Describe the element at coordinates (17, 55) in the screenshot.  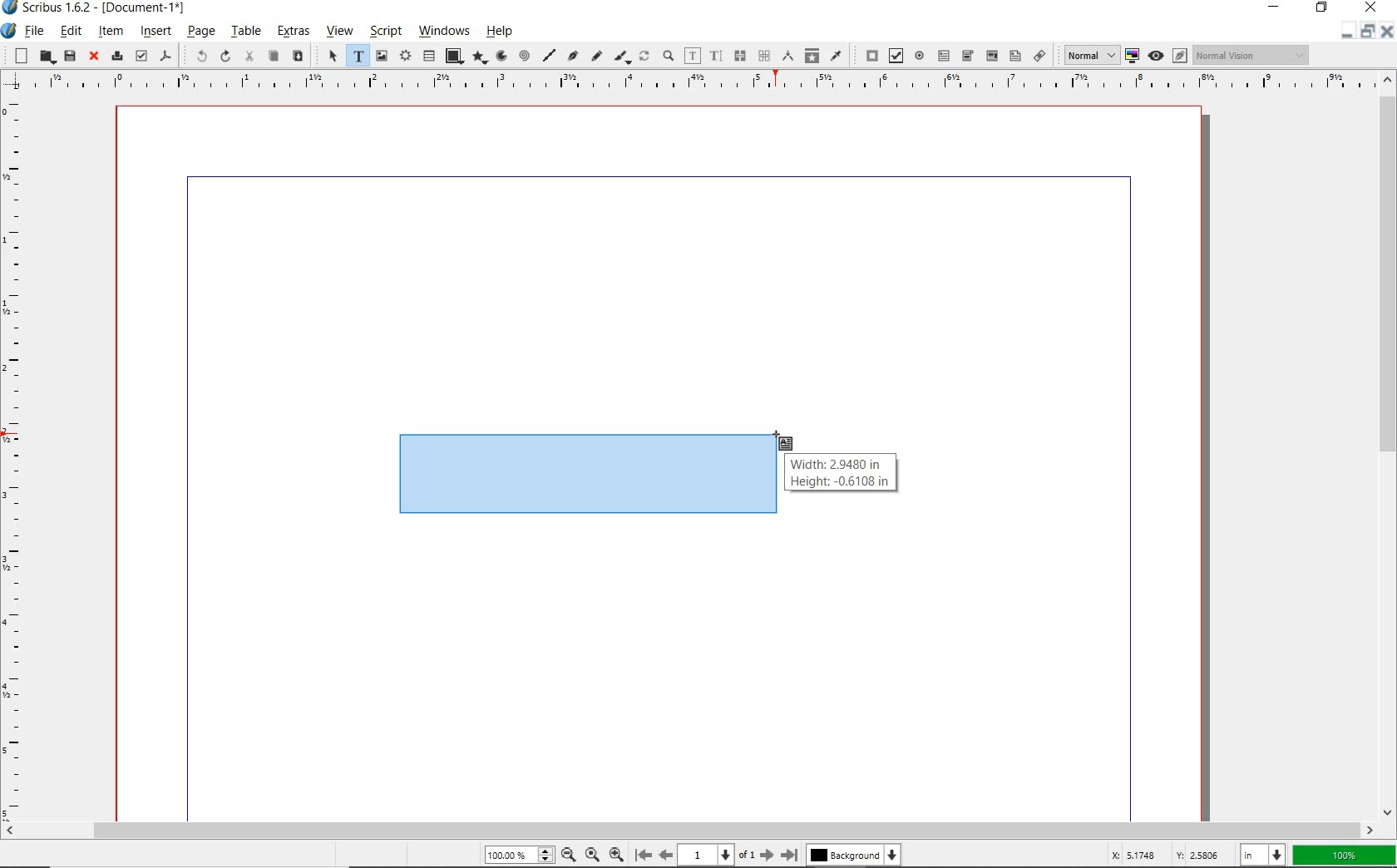
I see `new` at that location.